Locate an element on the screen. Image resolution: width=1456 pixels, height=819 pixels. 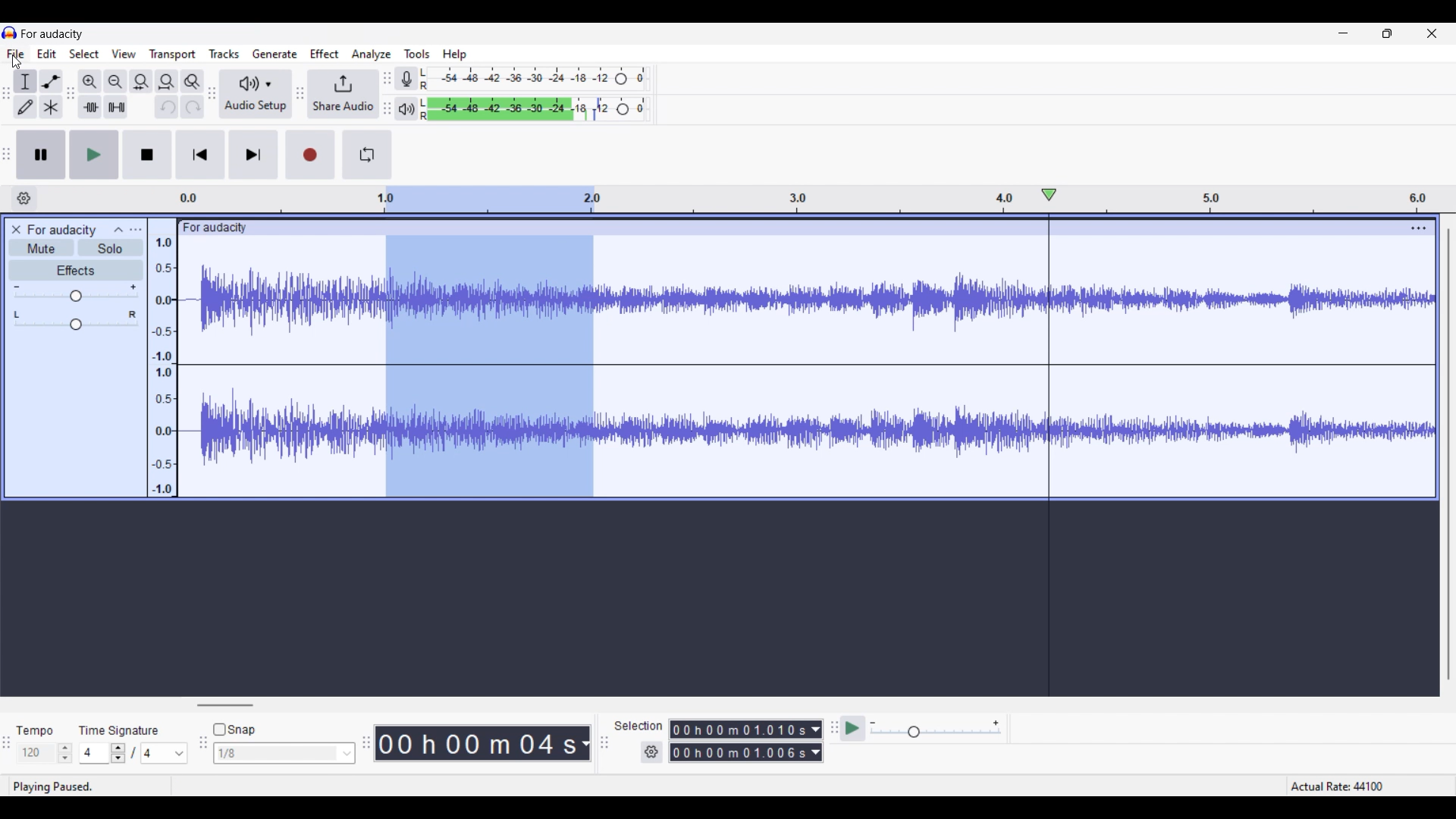
Multi-tool is located at coordinates (50, 107).